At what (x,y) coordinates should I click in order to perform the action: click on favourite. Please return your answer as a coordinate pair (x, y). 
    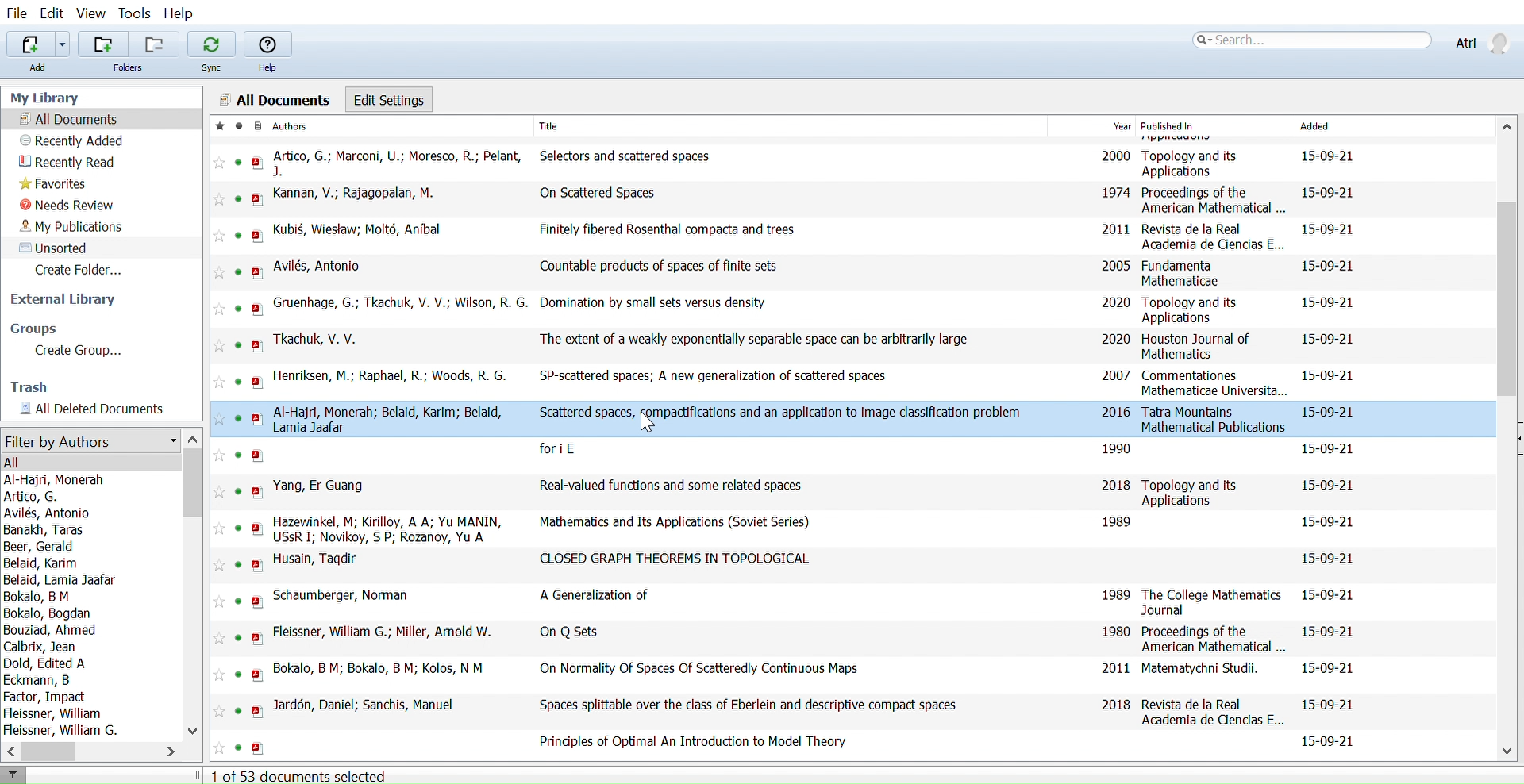
    Looking at the image, I should click on (219, 456).